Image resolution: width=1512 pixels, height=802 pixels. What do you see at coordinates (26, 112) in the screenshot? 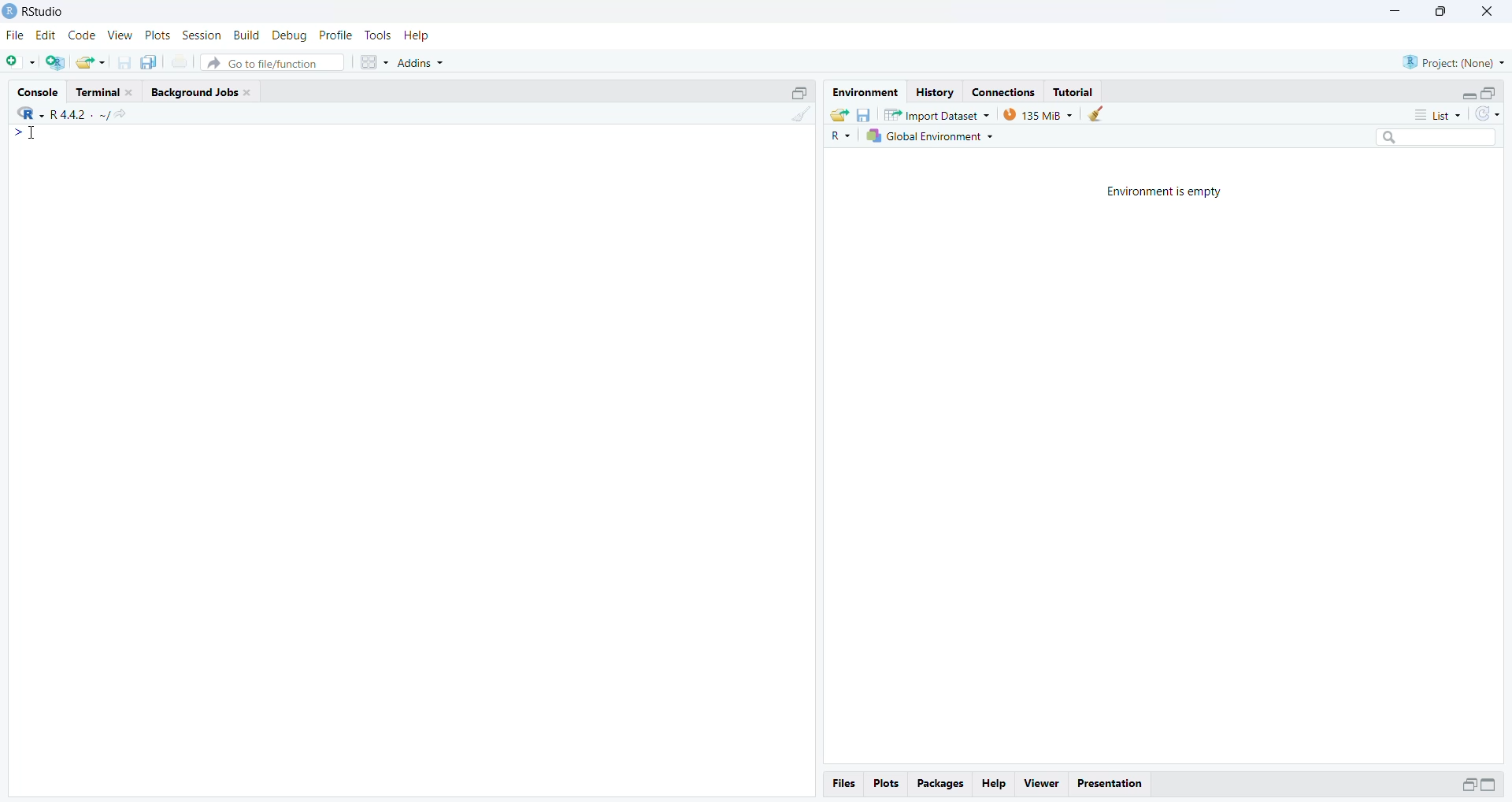
I see `R` at bounding box center [26, 112].